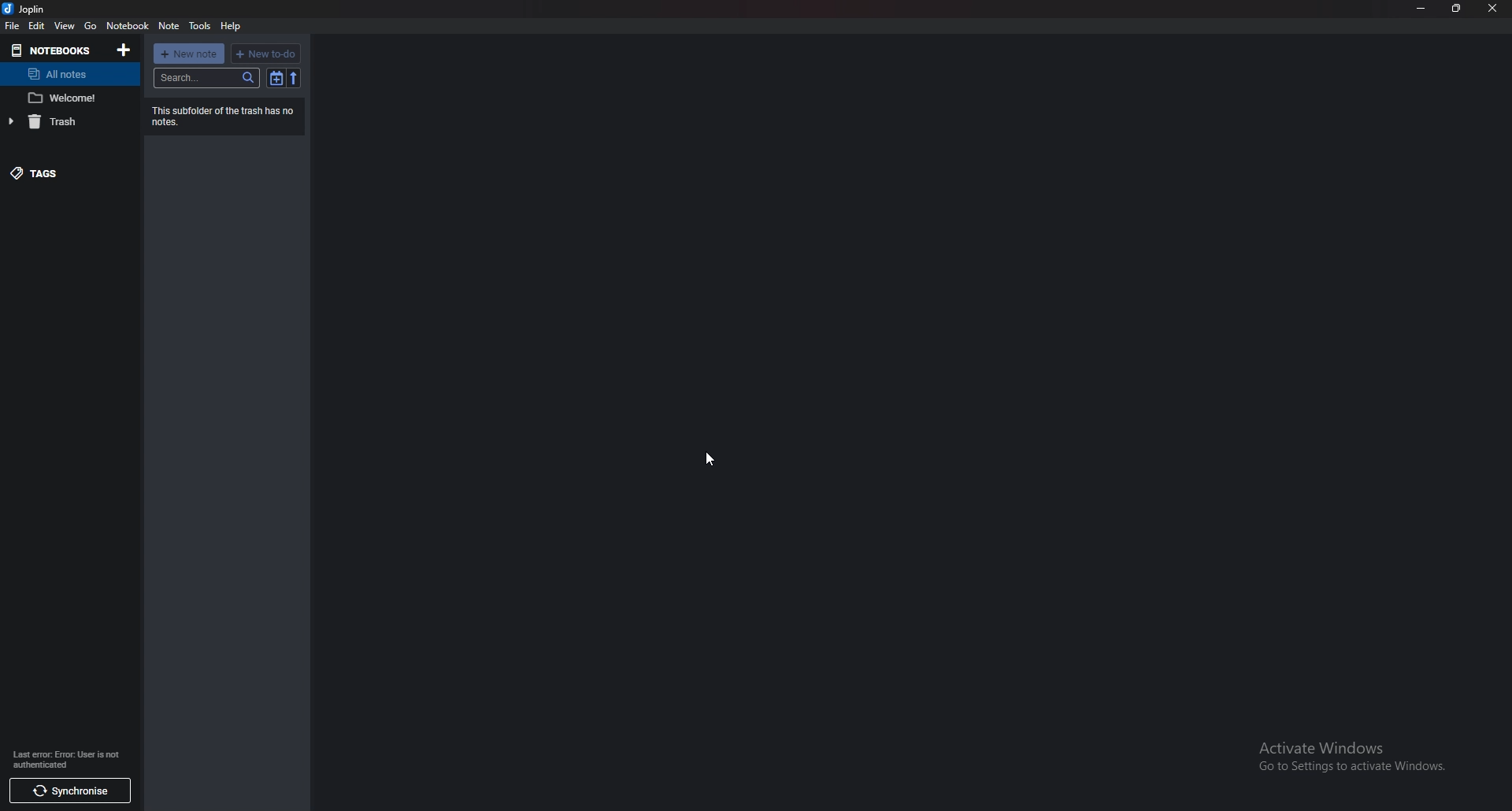 The width and height of the screenshot is (1512, 811). Describe the element at coordinates (127, 25) in the screenshot. I see `Notebook` at that location.